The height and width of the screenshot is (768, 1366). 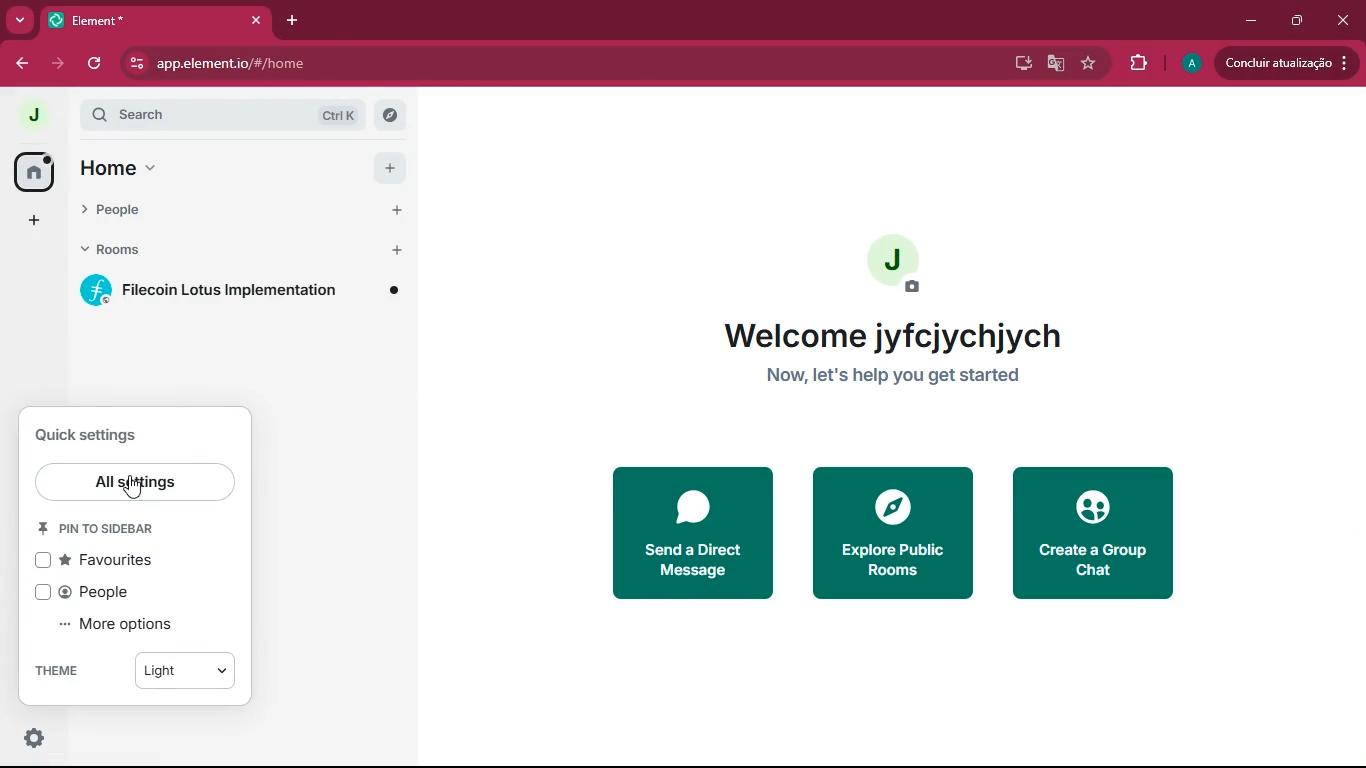 What do you see at coordinates (1056, 65) in the screenshot?
I see `google translate` at bounding box center [1056, 65].